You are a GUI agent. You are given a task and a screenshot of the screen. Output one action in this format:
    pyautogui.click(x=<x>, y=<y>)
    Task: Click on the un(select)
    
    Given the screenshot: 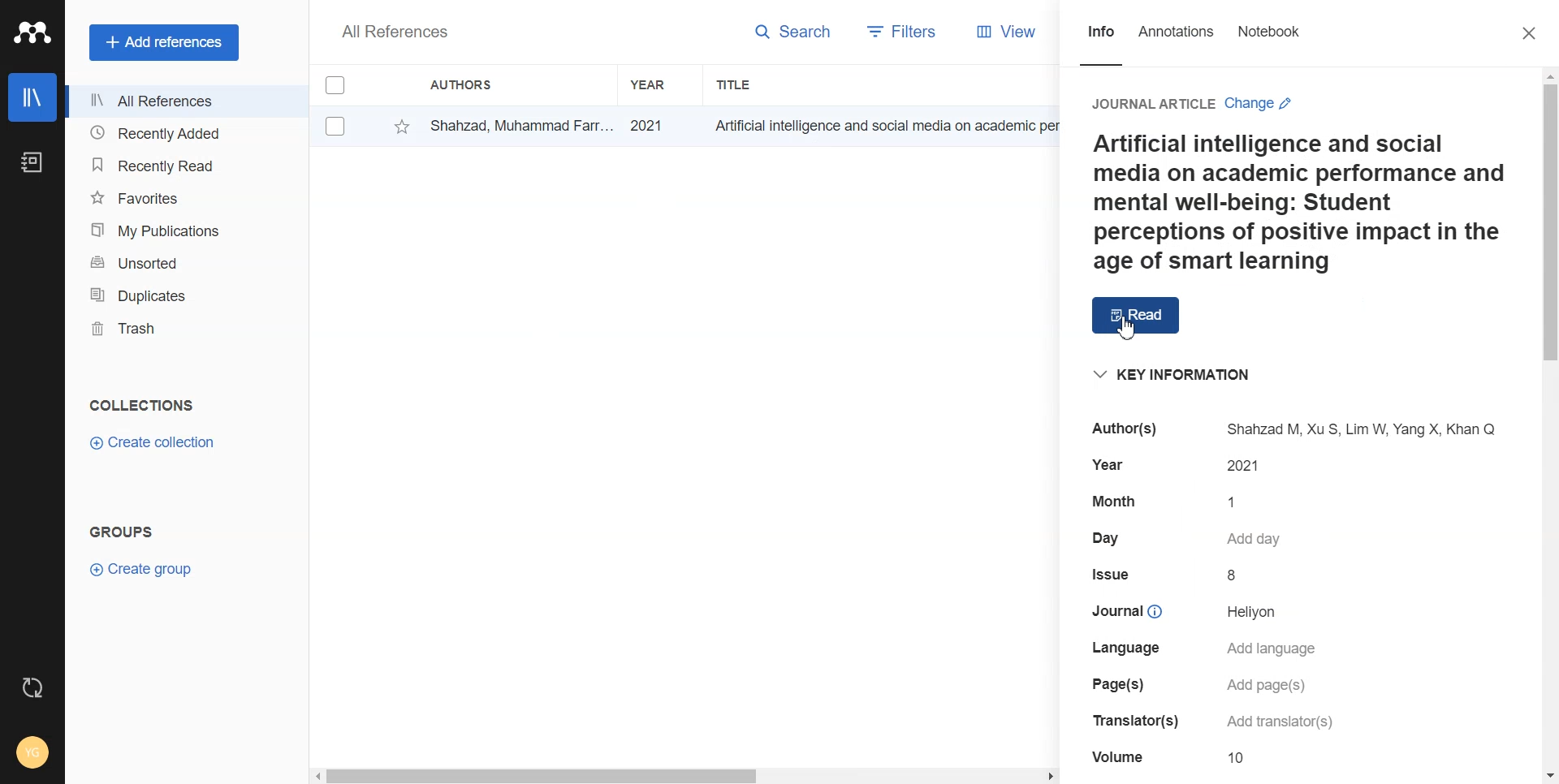 What is the action you would take?
    pyautogui.click(x=335, y=126)
    